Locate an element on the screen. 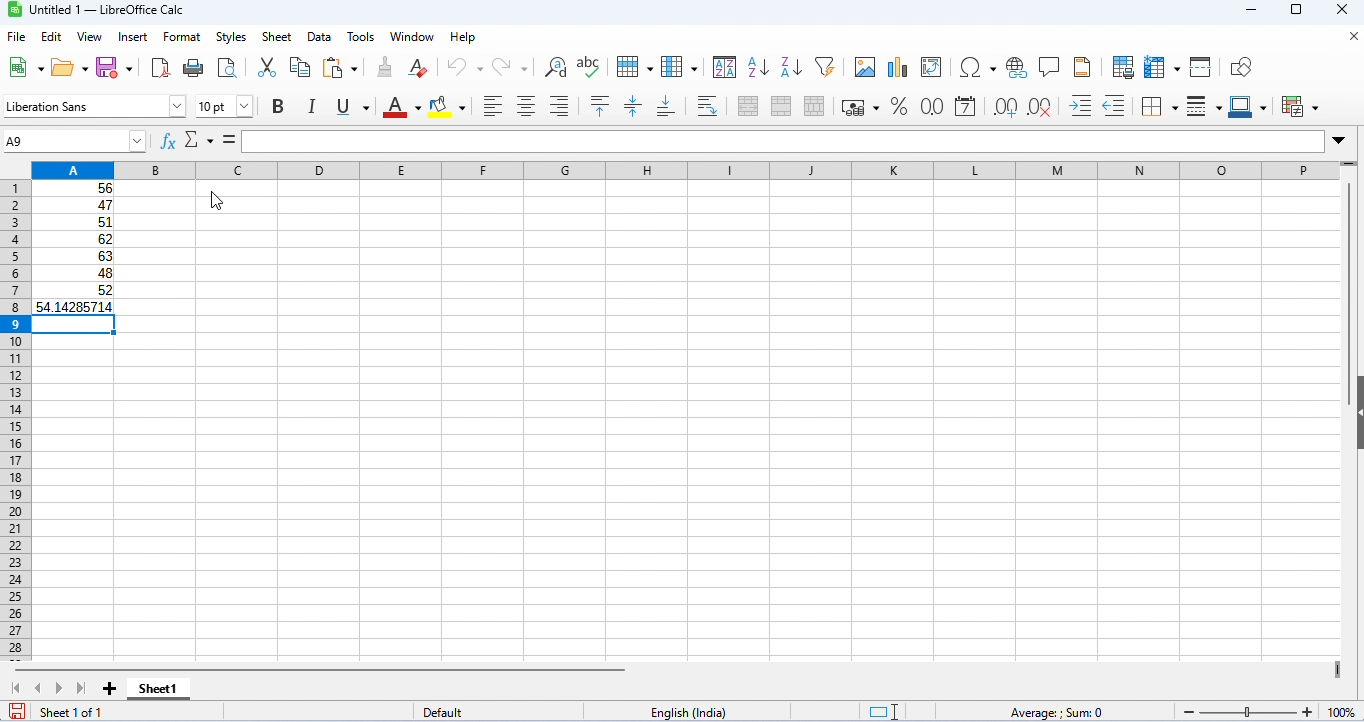 The image size is (1364, 722). sort descending is located at coordinates (792, 67).